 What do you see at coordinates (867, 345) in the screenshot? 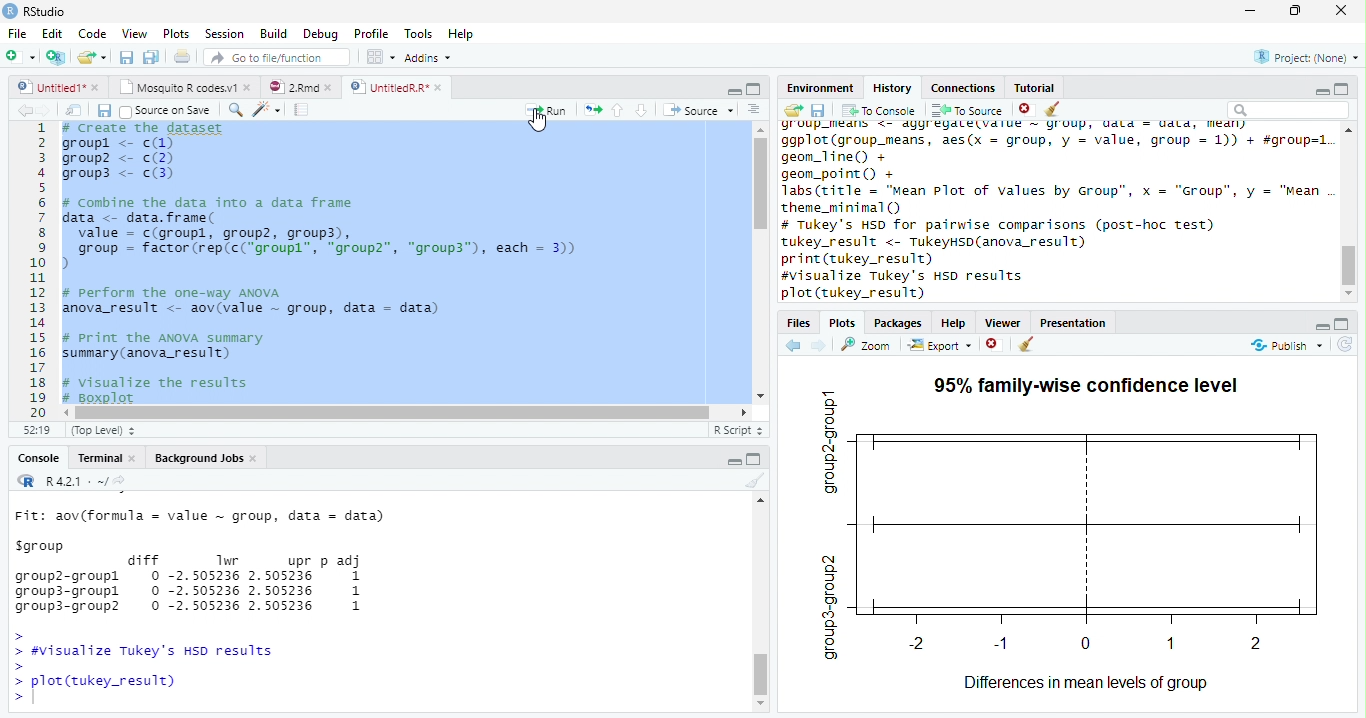
I see `Zoom` at bounding box center [867, 345].